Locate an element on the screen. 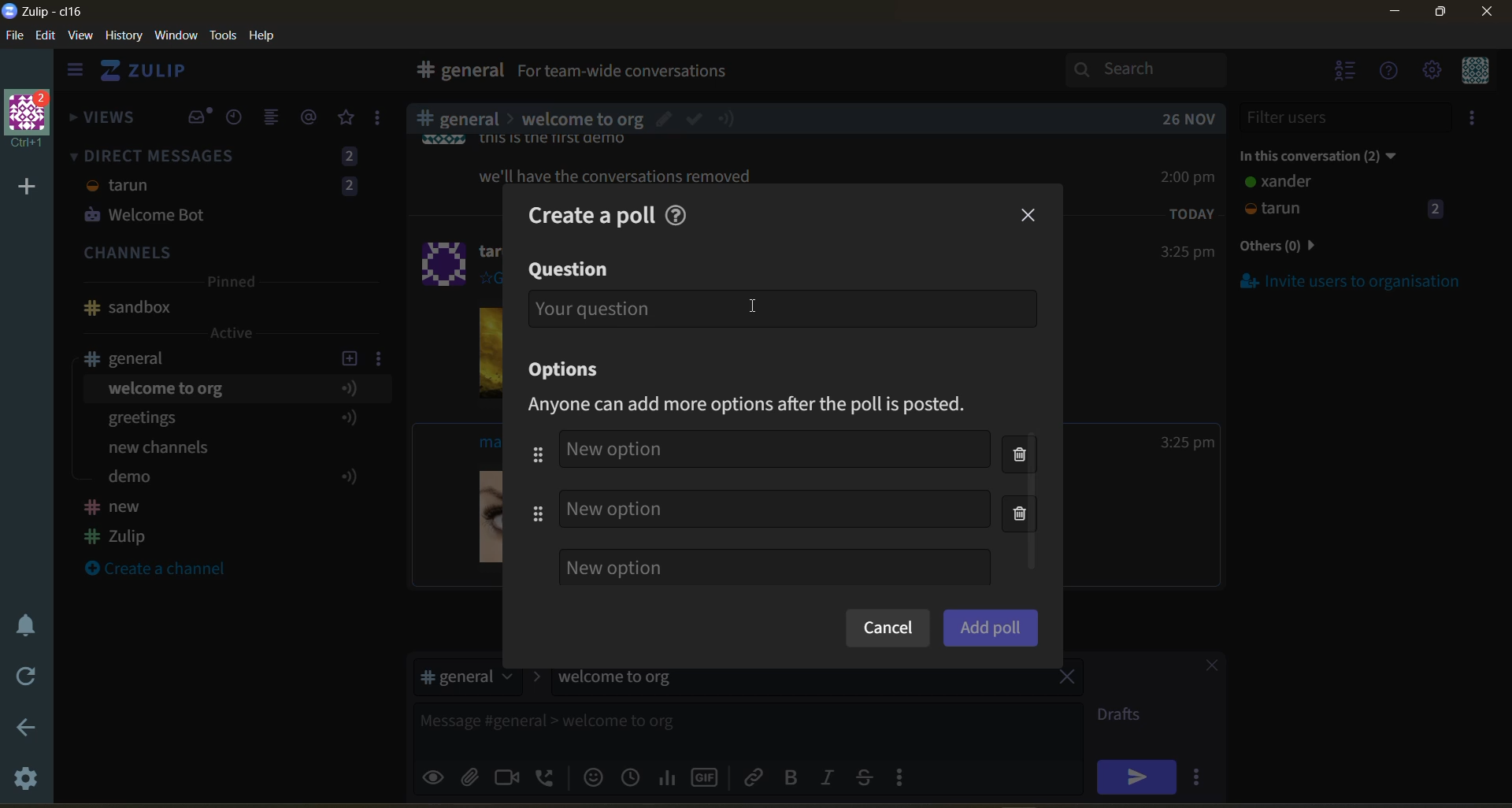  create a channel is located at coordinates (165, 570).